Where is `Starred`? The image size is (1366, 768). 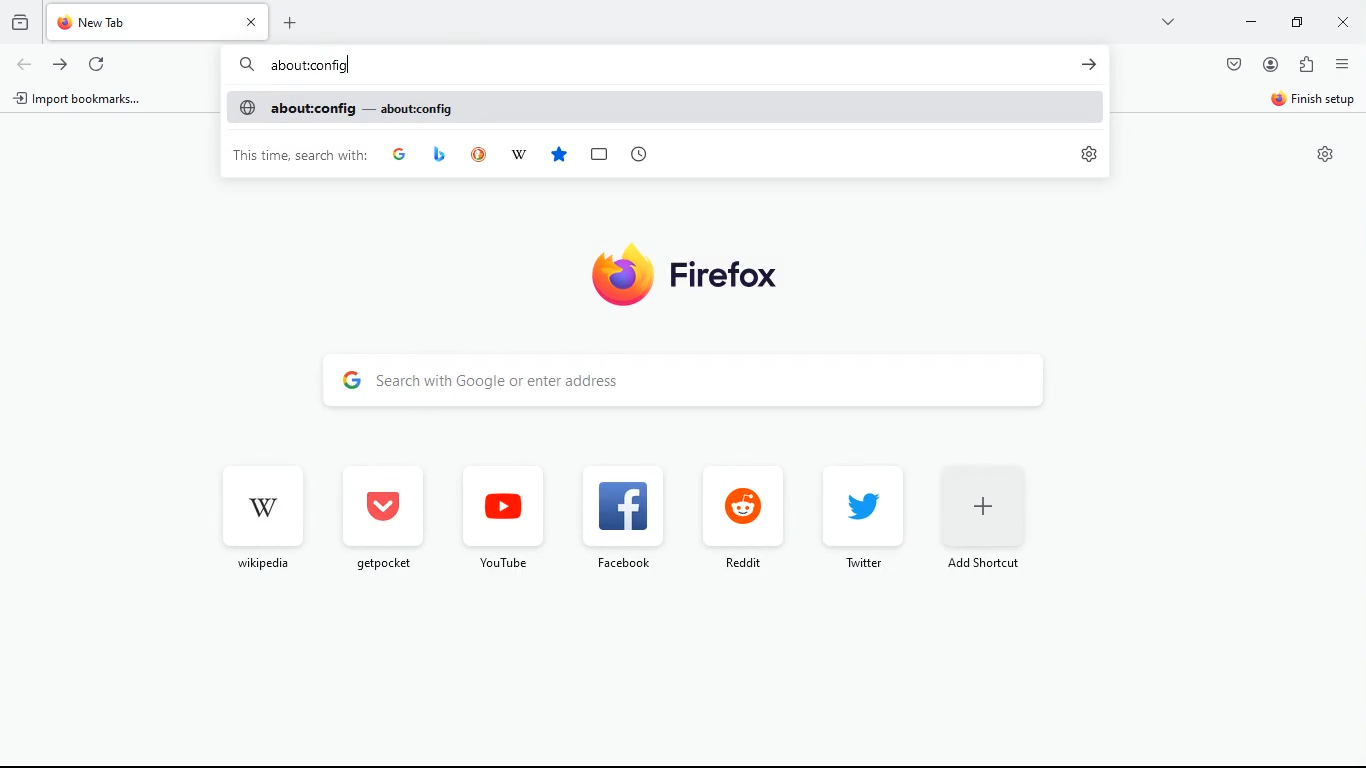 Starred is located at coordinates (559, 155).